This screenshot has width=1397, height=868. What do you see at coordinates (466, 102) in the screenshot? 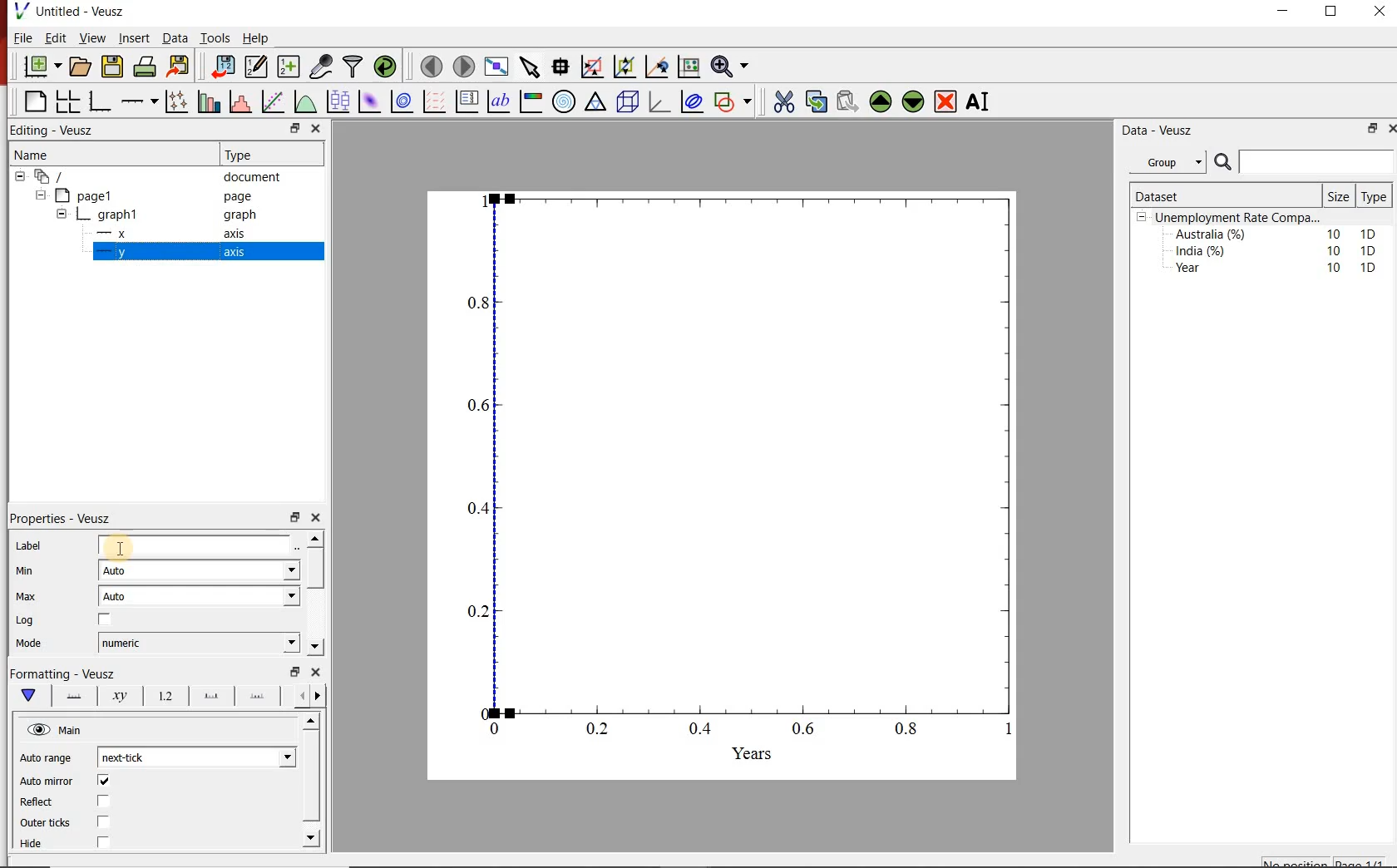
I see `plot key` at bounding box center [466, 102].